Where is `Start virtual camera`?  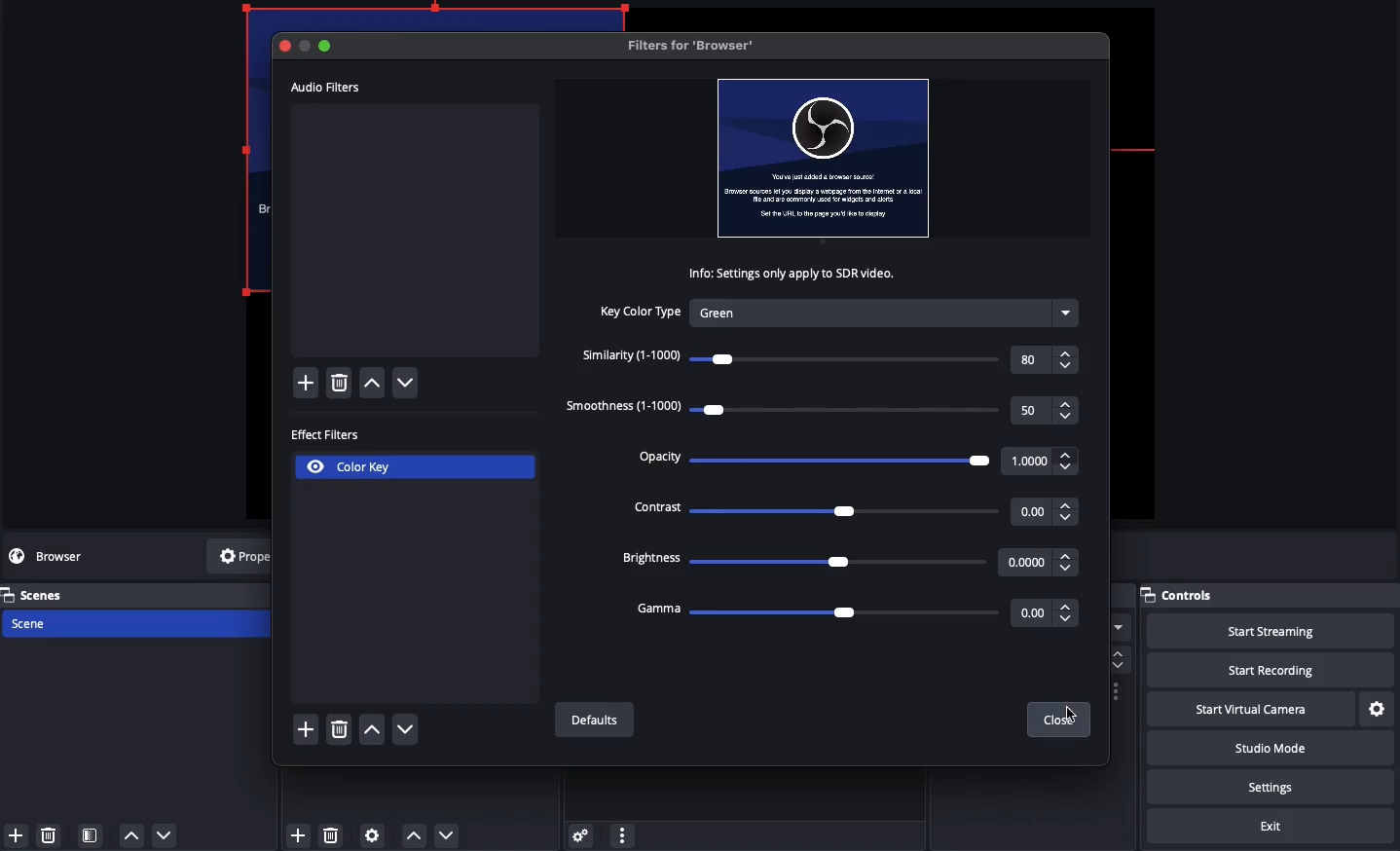
Start virtual camera is located at coordinates (1248, 710).